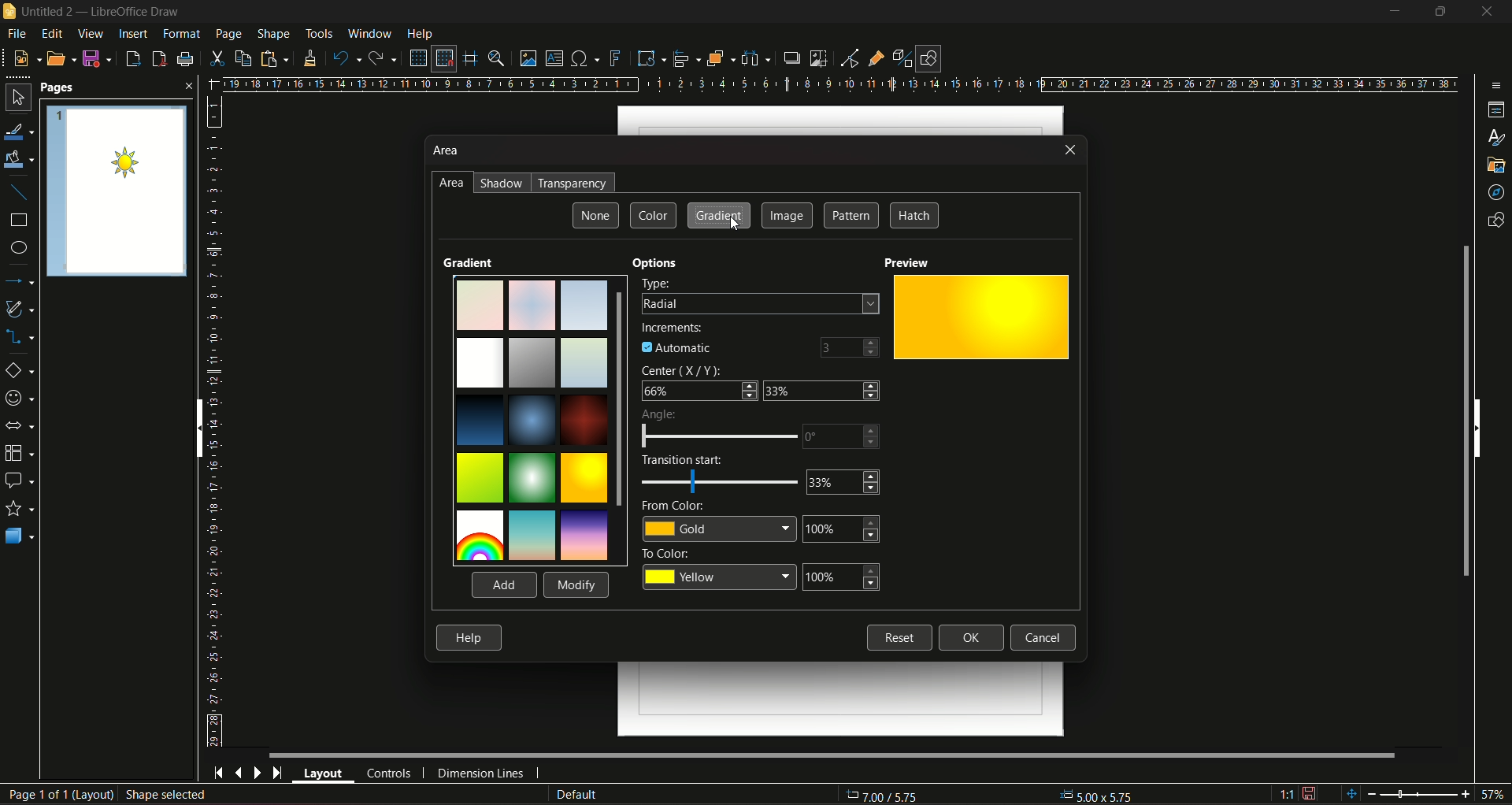 The image size is (1512, 805). What do you see at coordinates (974, 638) in the screenshot?
I see `Ok` at bounding box center [974, 638].